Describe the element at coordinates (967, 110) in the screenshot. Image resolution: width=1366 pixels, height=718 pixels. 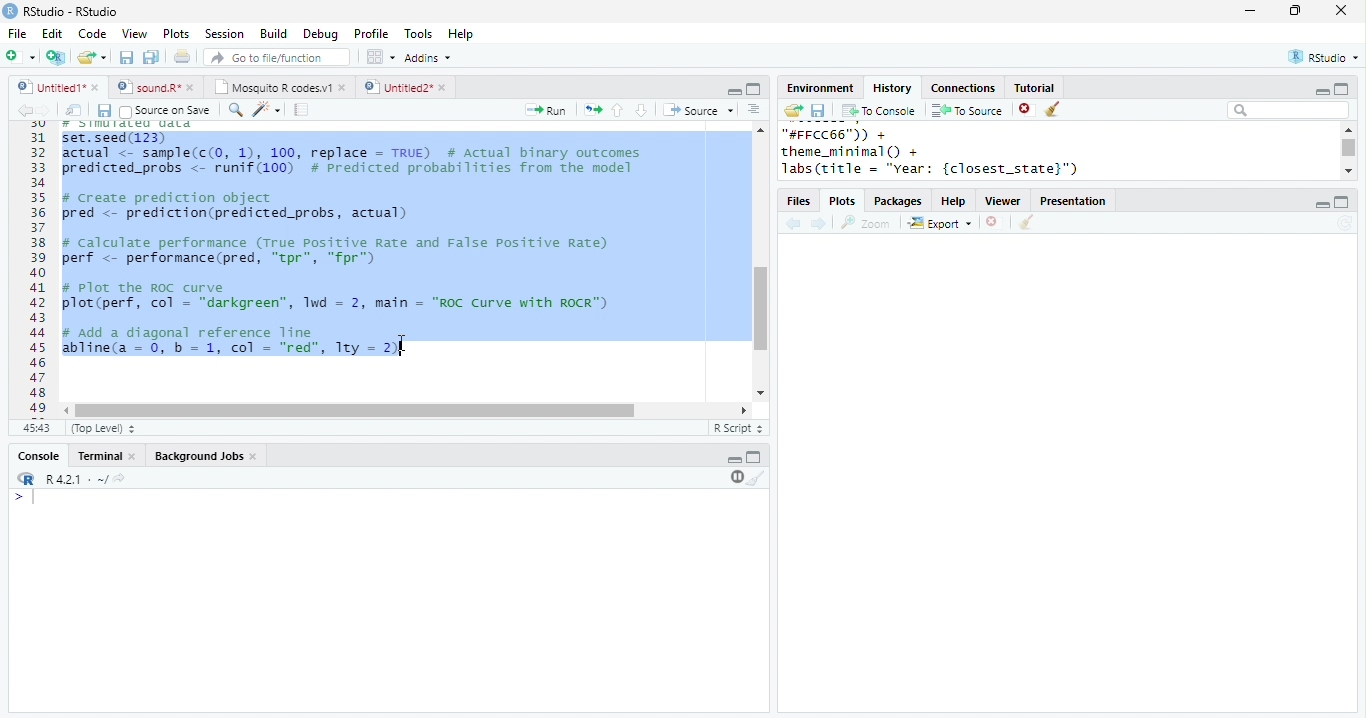
I see `To source` at that location.